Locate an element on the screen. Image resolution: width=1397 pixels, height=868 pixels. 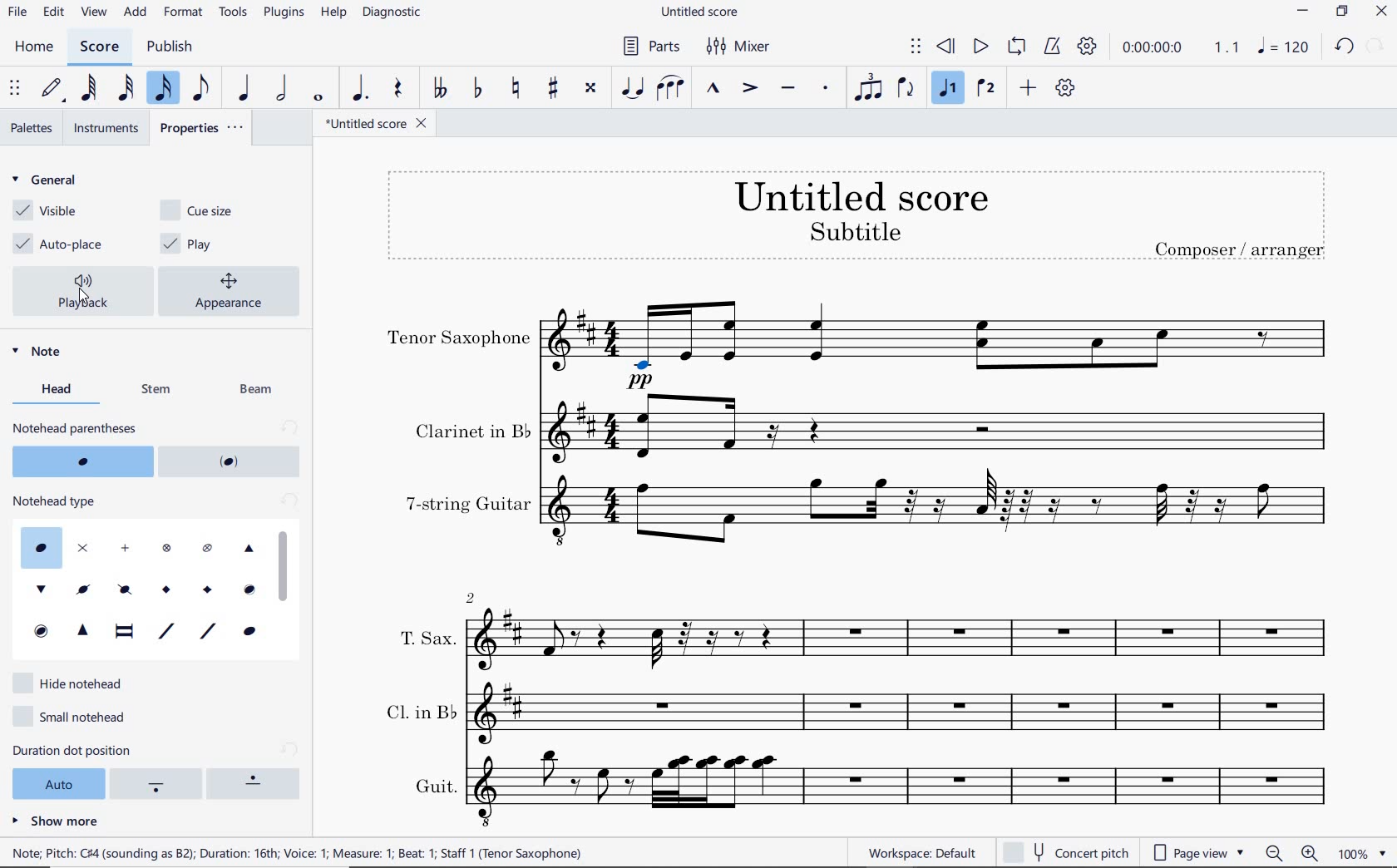
16TH NOTE is located at coordinates (165, 89).